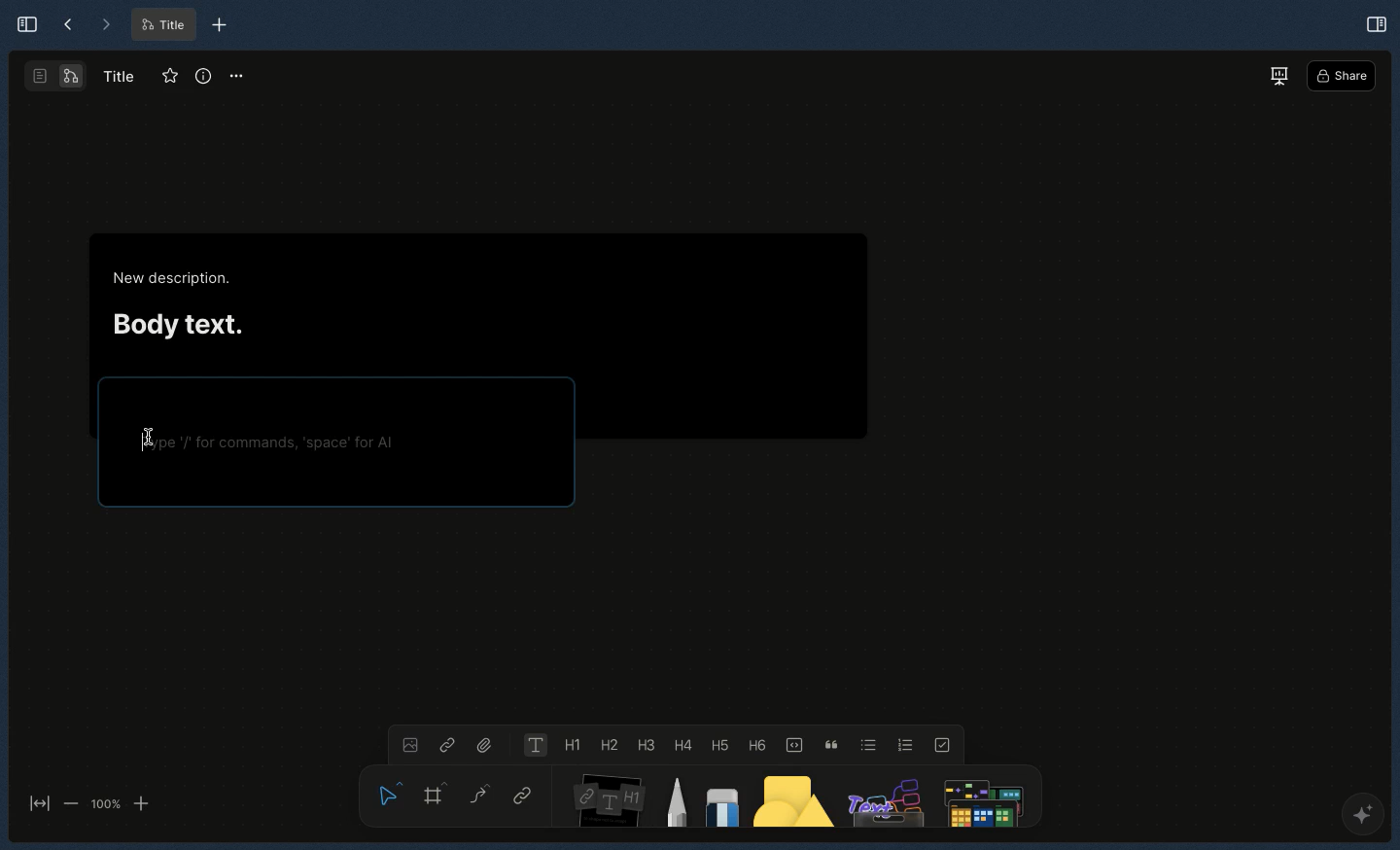 The width and height of the screenshot is (1400, 850). Describe the element at coordinates (945, 744) in the screenshot. I see `To-do list` at that location.